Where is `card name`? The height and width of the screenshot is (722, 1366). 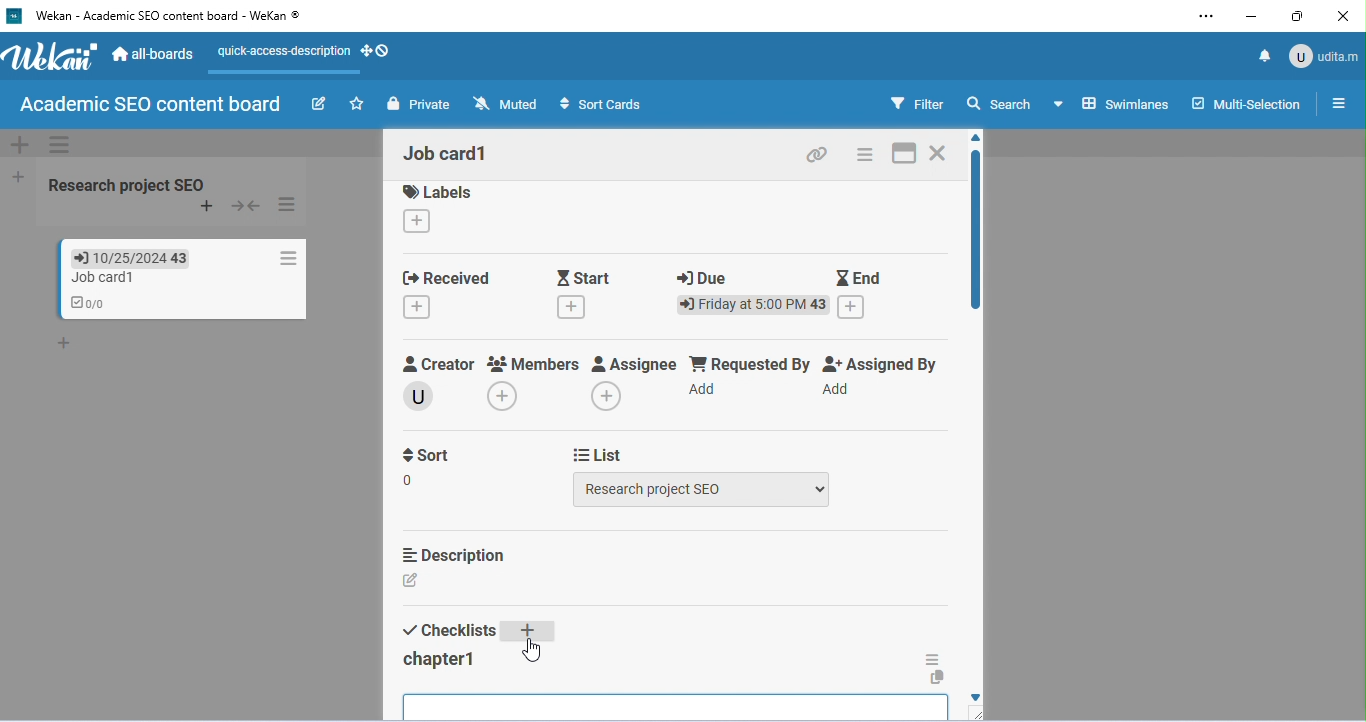
card name is located at coordinates (450, 154).